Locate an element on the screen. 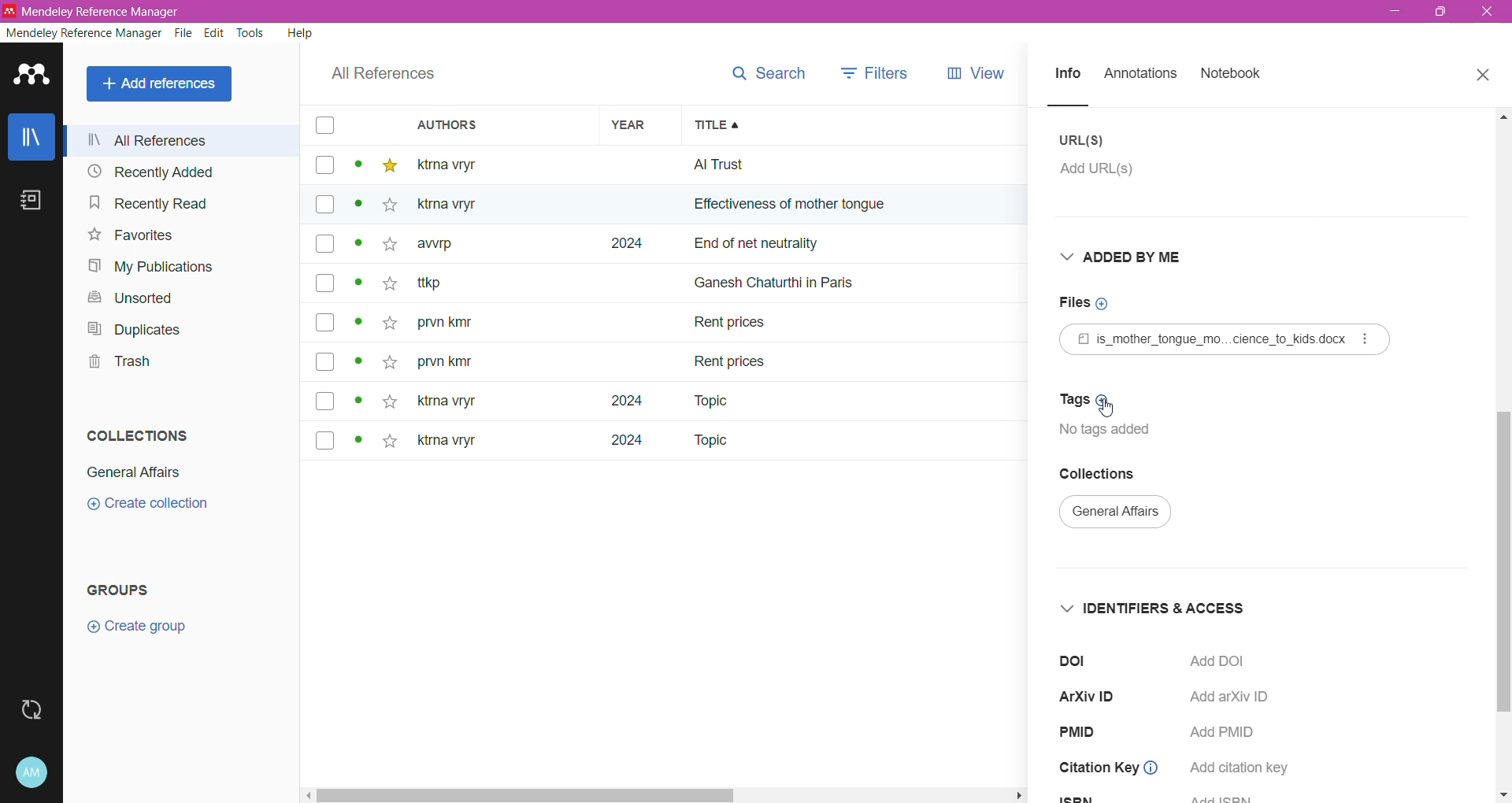  All References is located at coordinates (162, 84).